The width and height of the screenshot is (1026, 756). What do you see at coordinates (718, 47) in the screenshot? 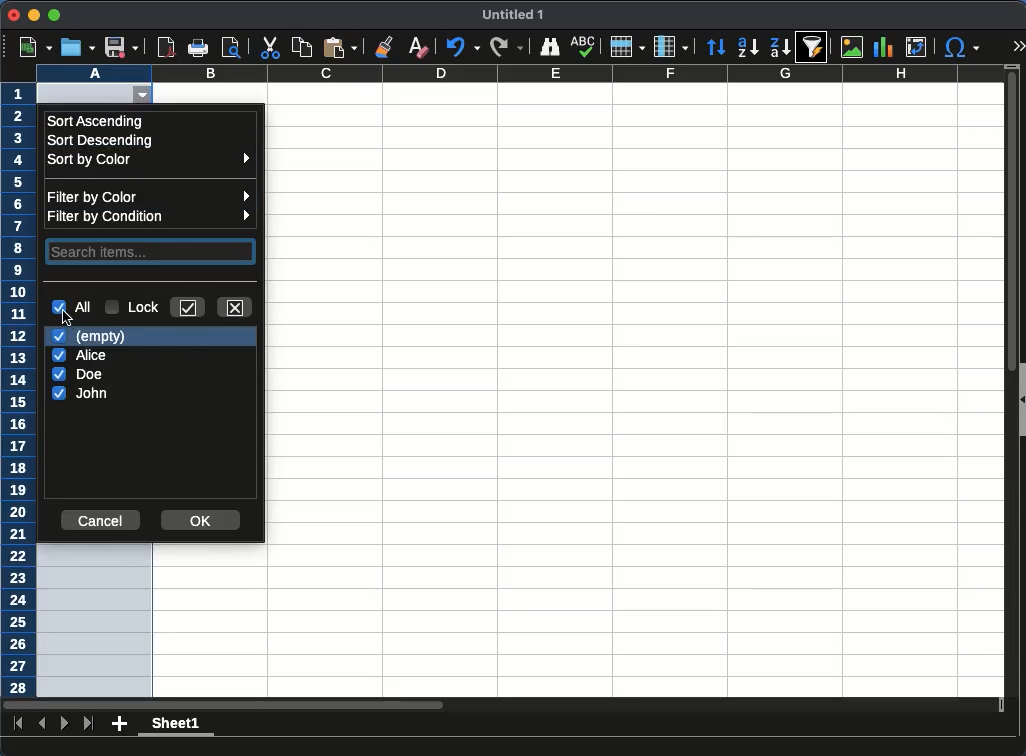
I see `sort` at bounding box center [718, 47].